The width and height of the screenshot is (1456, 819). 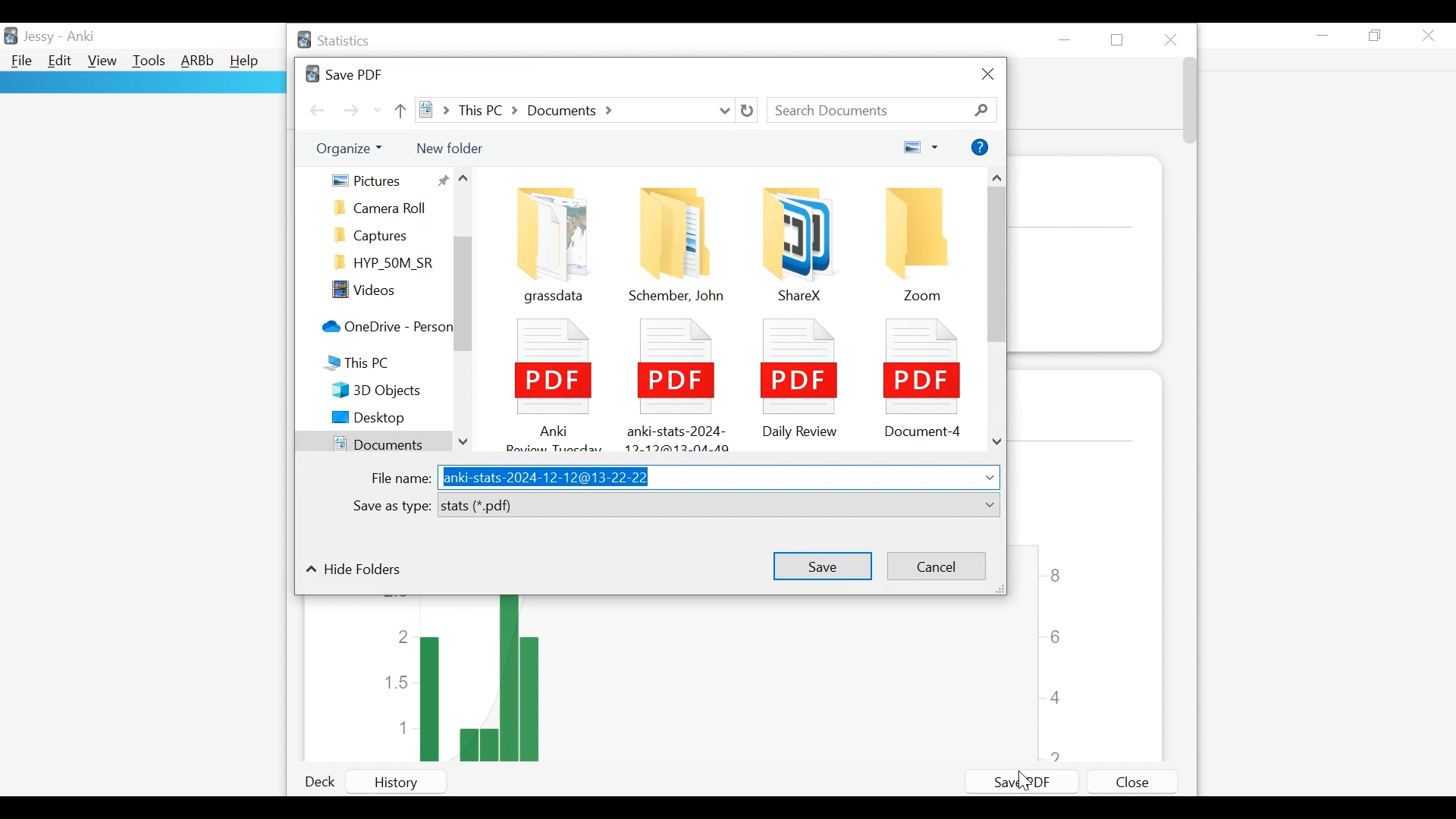 What do you see at coordinates (1131, 782) in the screenshot?
I see `Close` at bounding box center [1131, 782].